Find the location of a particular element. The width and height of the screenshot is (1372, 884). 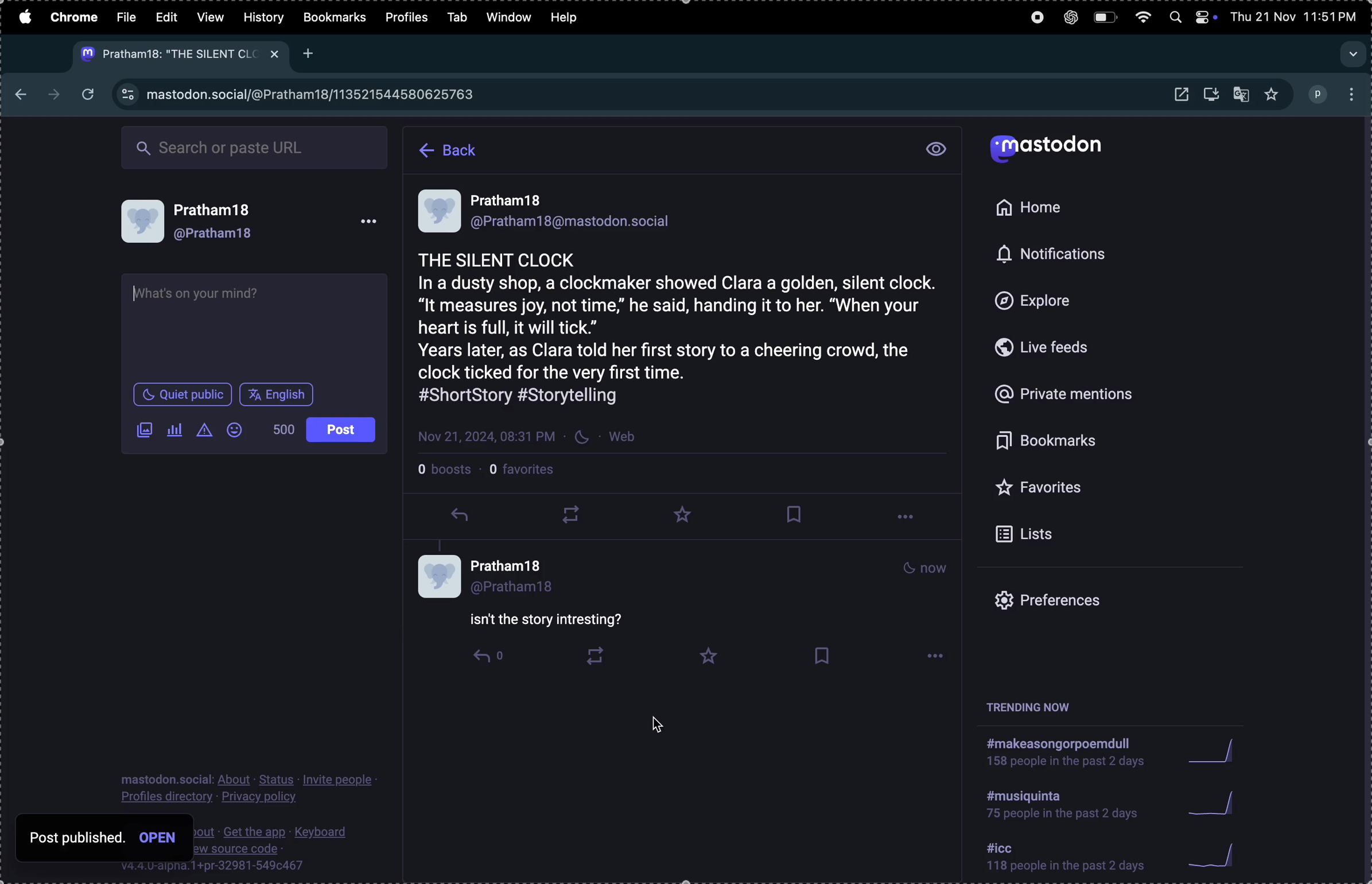

add new tab is located at coordinates (310, 55).